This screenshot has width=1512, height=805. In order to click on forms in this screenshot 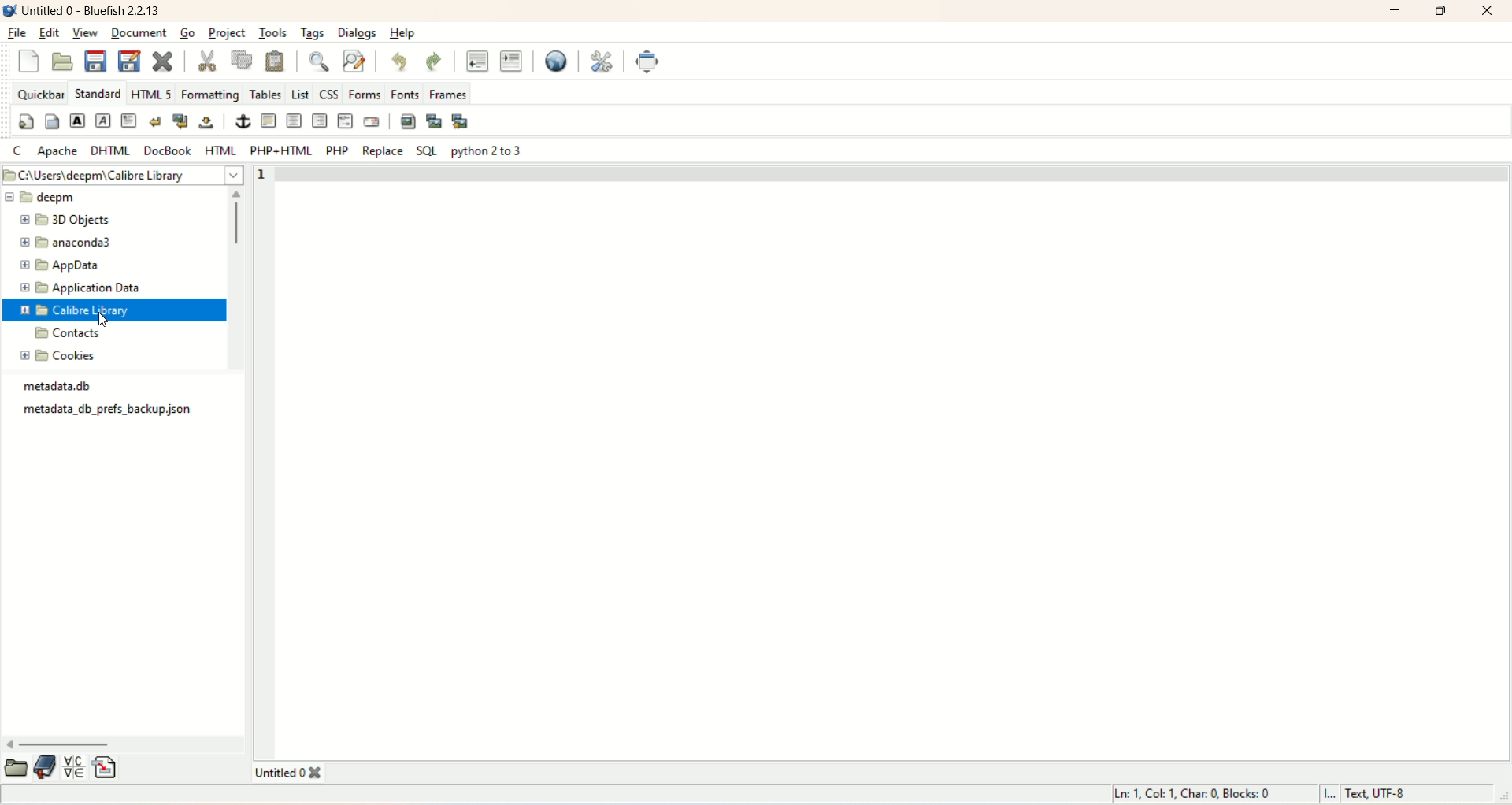, I will do `click(366, 94)`.